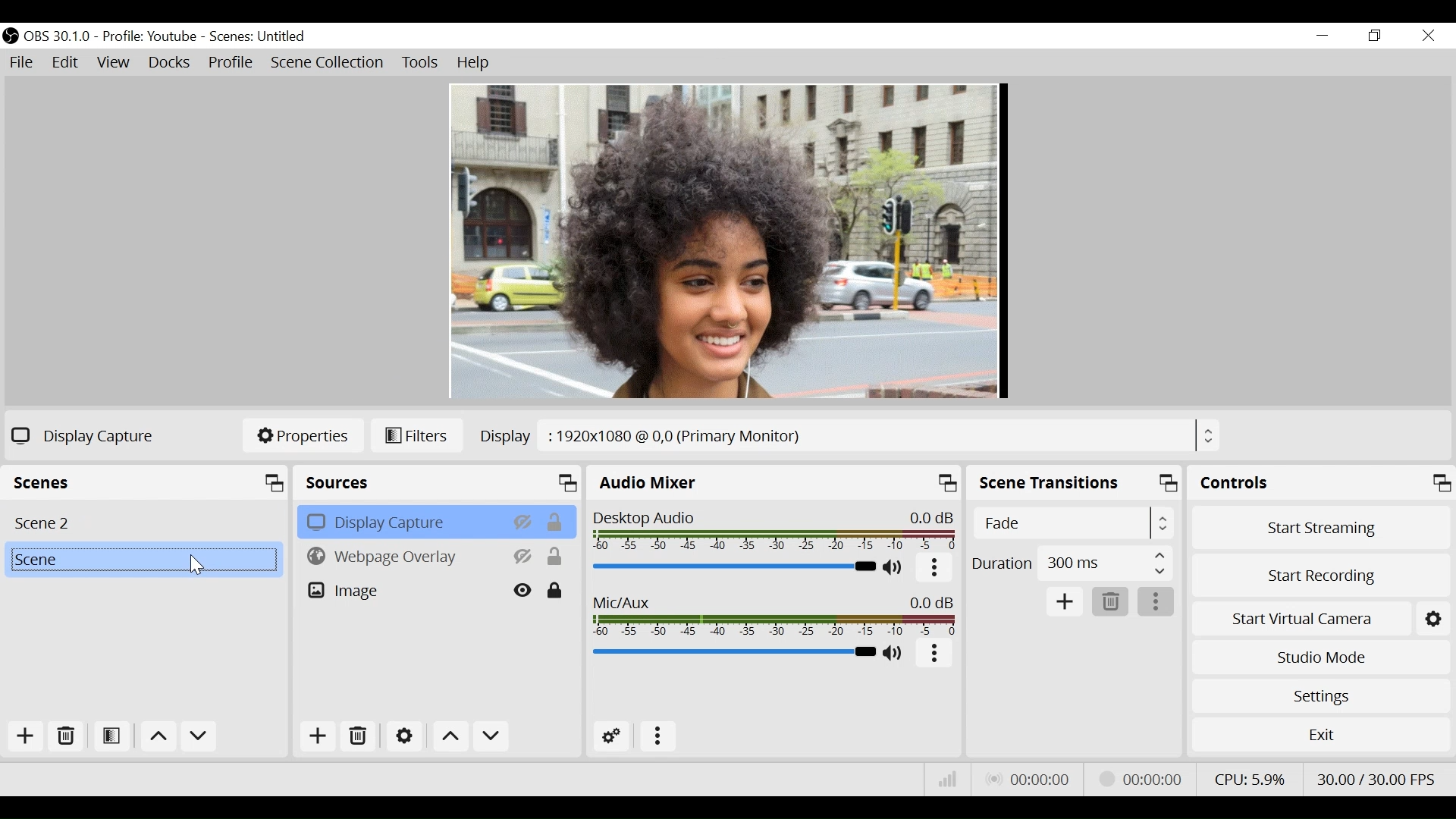 Image resolution: width=1456 pixels, height=819 pixels. I want to click on Preview, so click(727, 242).